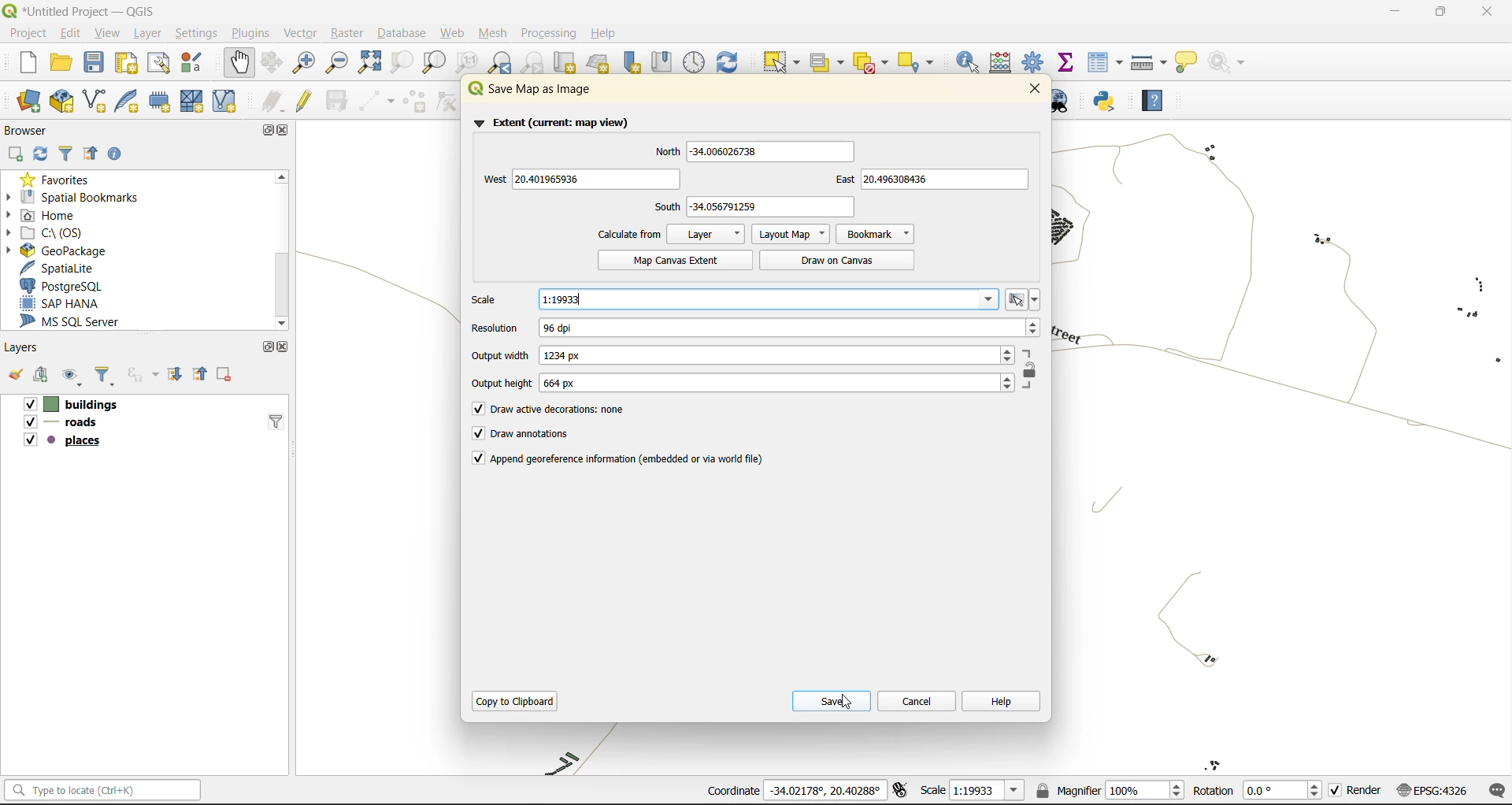 The image size is (1512, 805). Describe the element at coordinates (272, 420) in the screenshot. I see `filter` at that location.